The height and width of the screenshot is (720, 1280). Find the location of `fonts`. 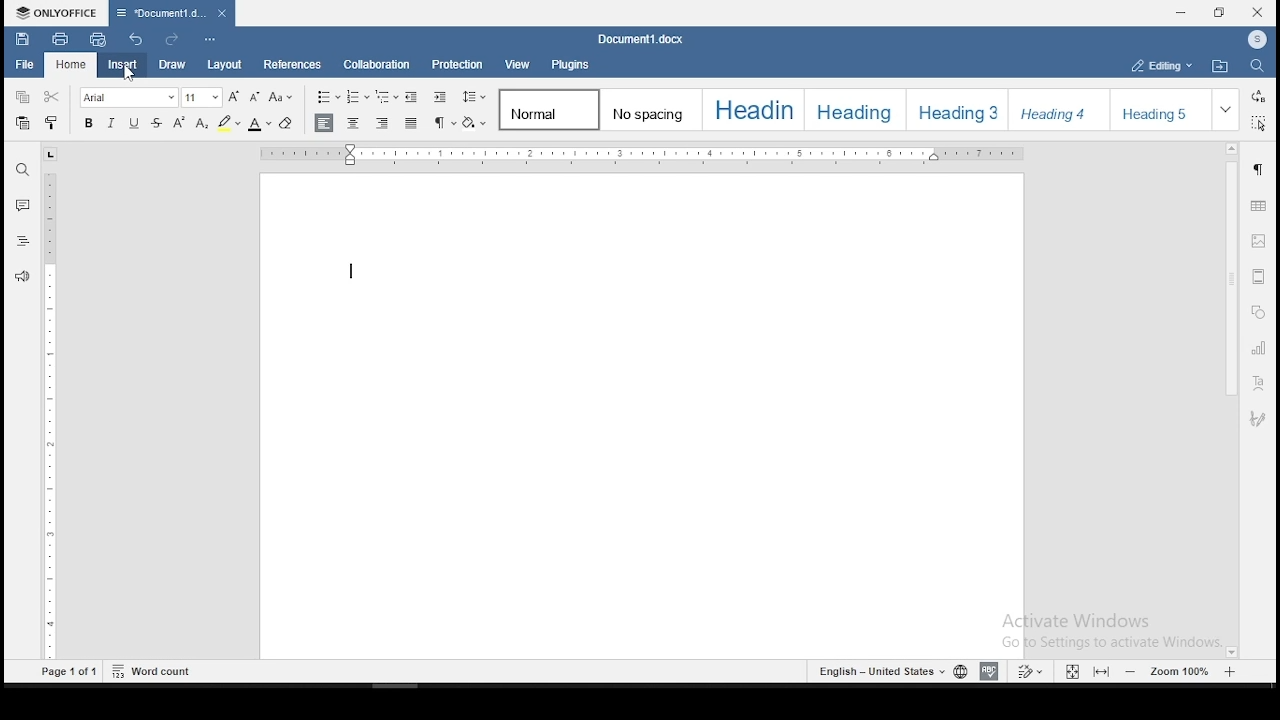

fonts is located at coordinates (88, 121).